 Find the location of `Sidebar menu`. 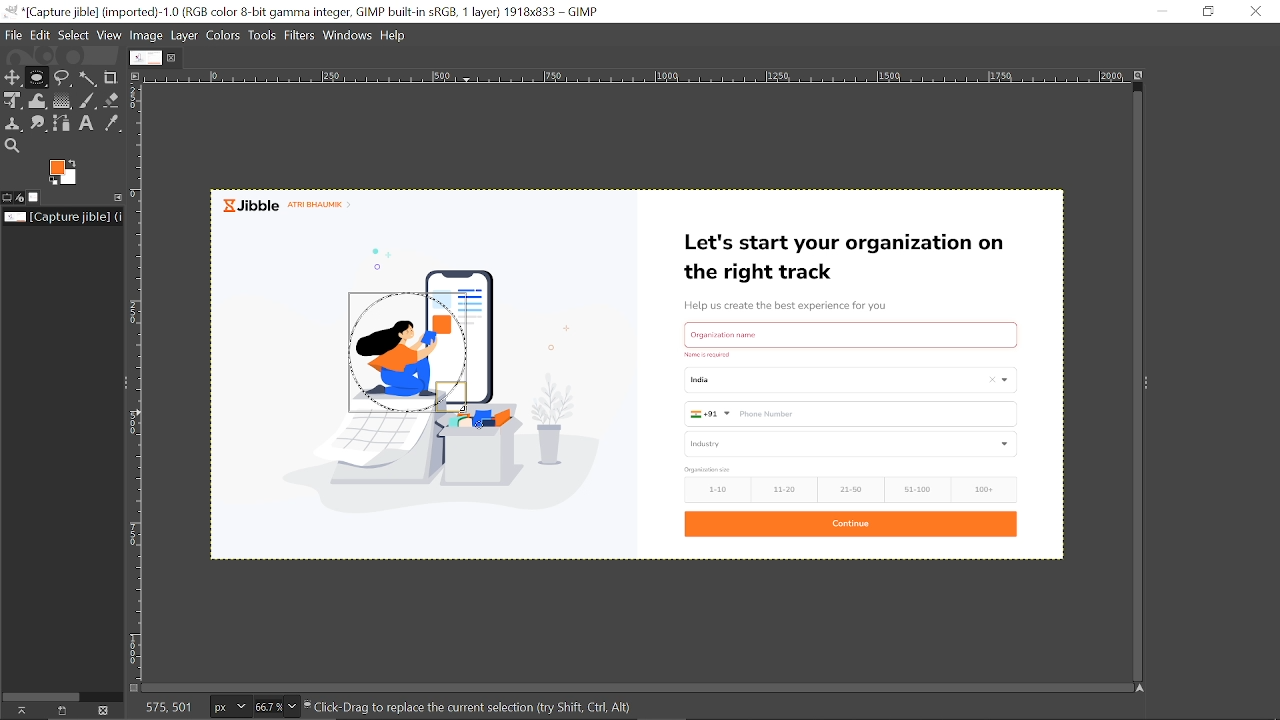

Sidebar menu is located at coordinates (120, 381).